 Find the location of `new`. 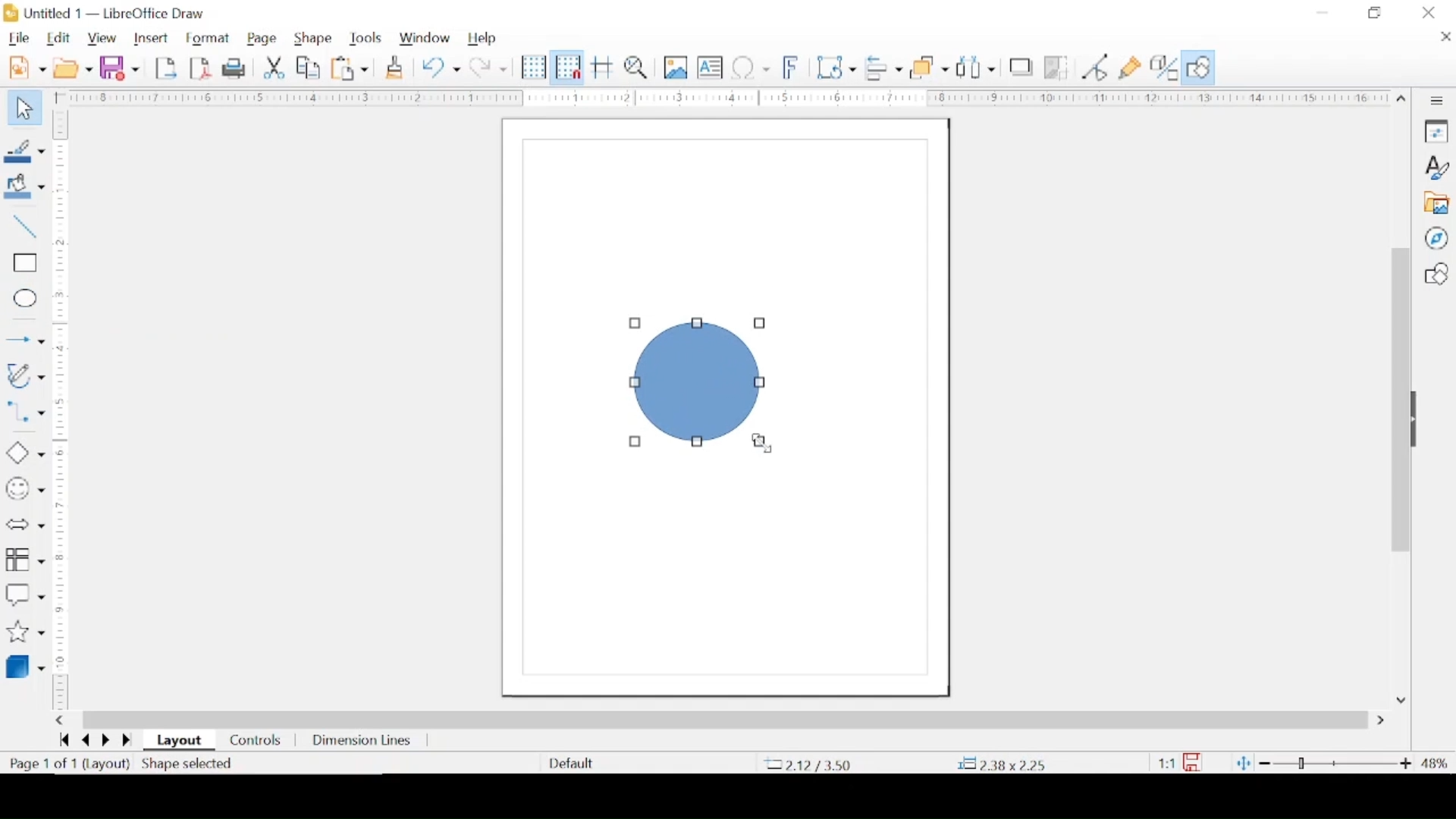

new is located at coordinates (27, 67).